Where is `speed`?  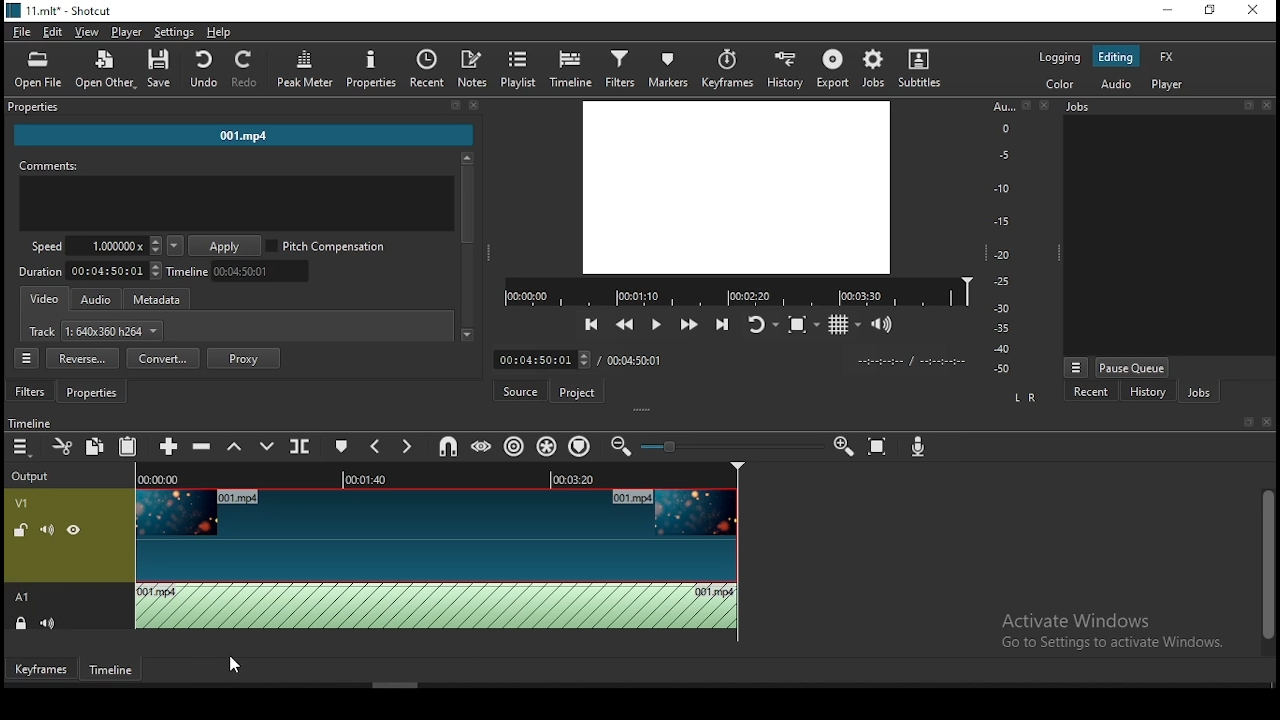
speed is located at coordinates (93, 247).